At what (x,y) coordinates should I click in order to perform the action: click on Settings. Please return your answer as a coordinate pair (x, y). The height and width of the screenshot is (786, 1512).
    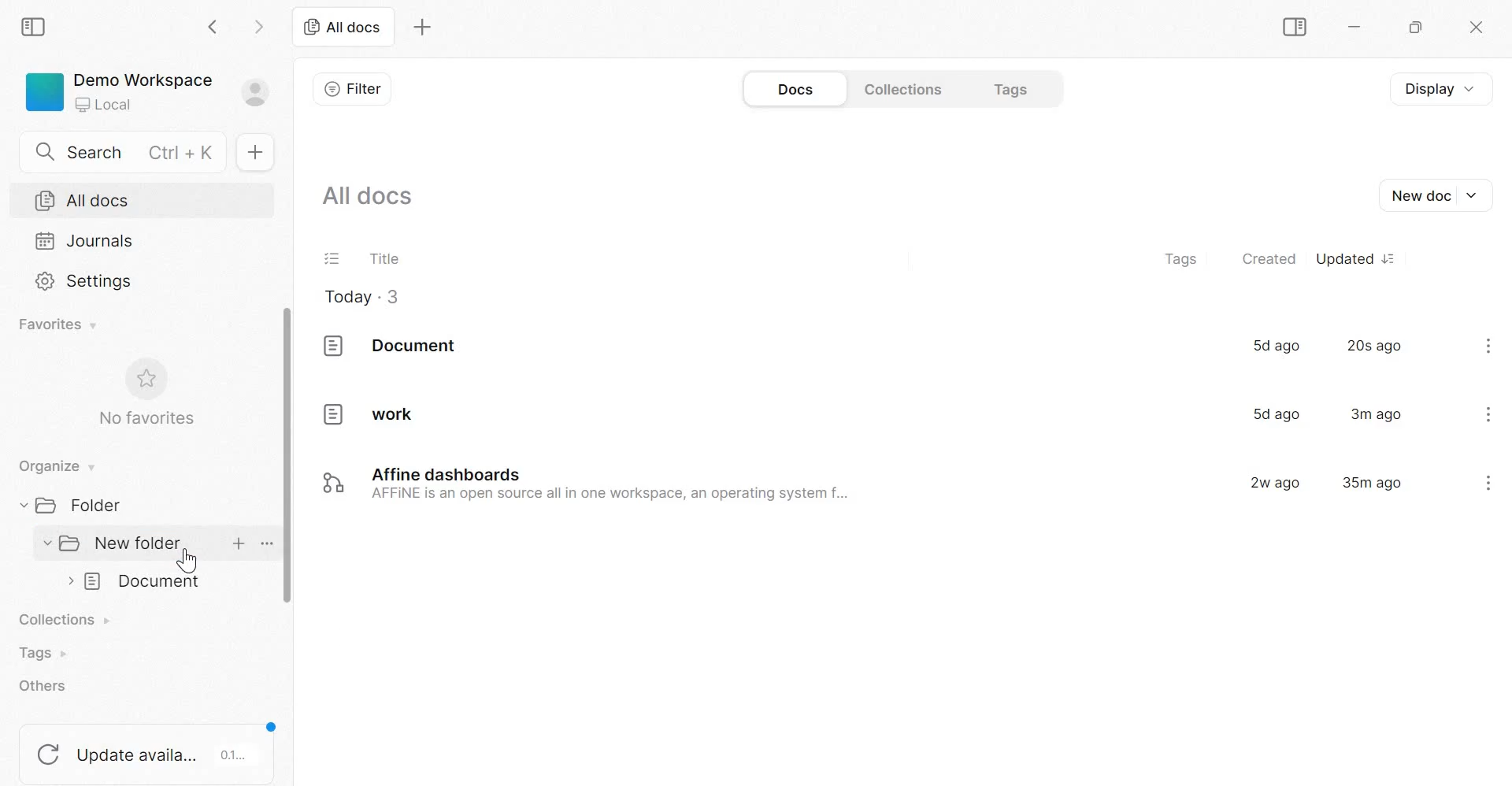
    Looking at the image, I should click on (85, 281).